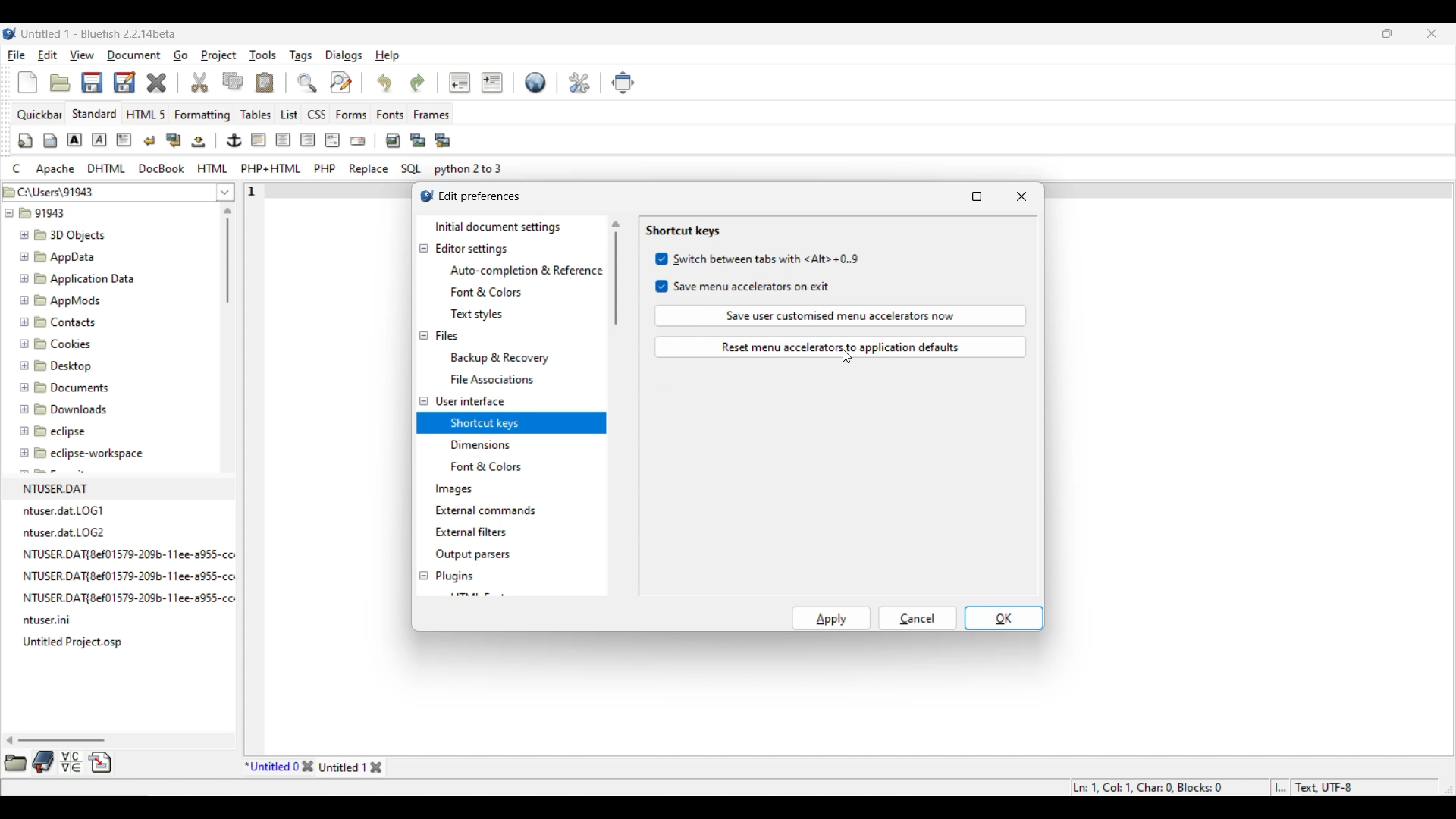 This screenshot has height=819, width=1456. Describe the element at coordinates (455, 490) in the screenshot. I see `Images` at that location.